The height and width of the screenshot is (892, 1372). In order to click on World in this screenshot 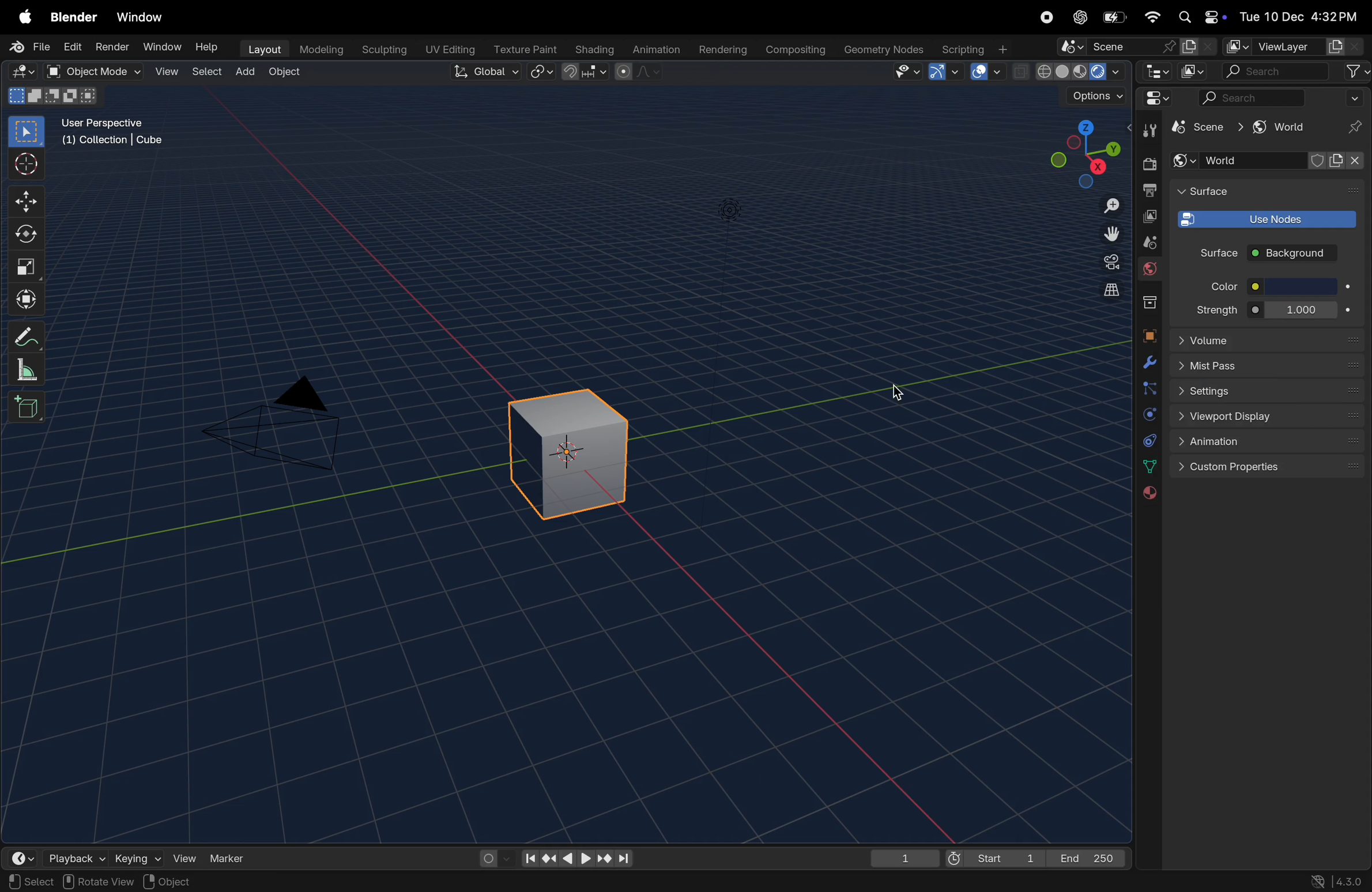, I will do `click(1272, 161)`.